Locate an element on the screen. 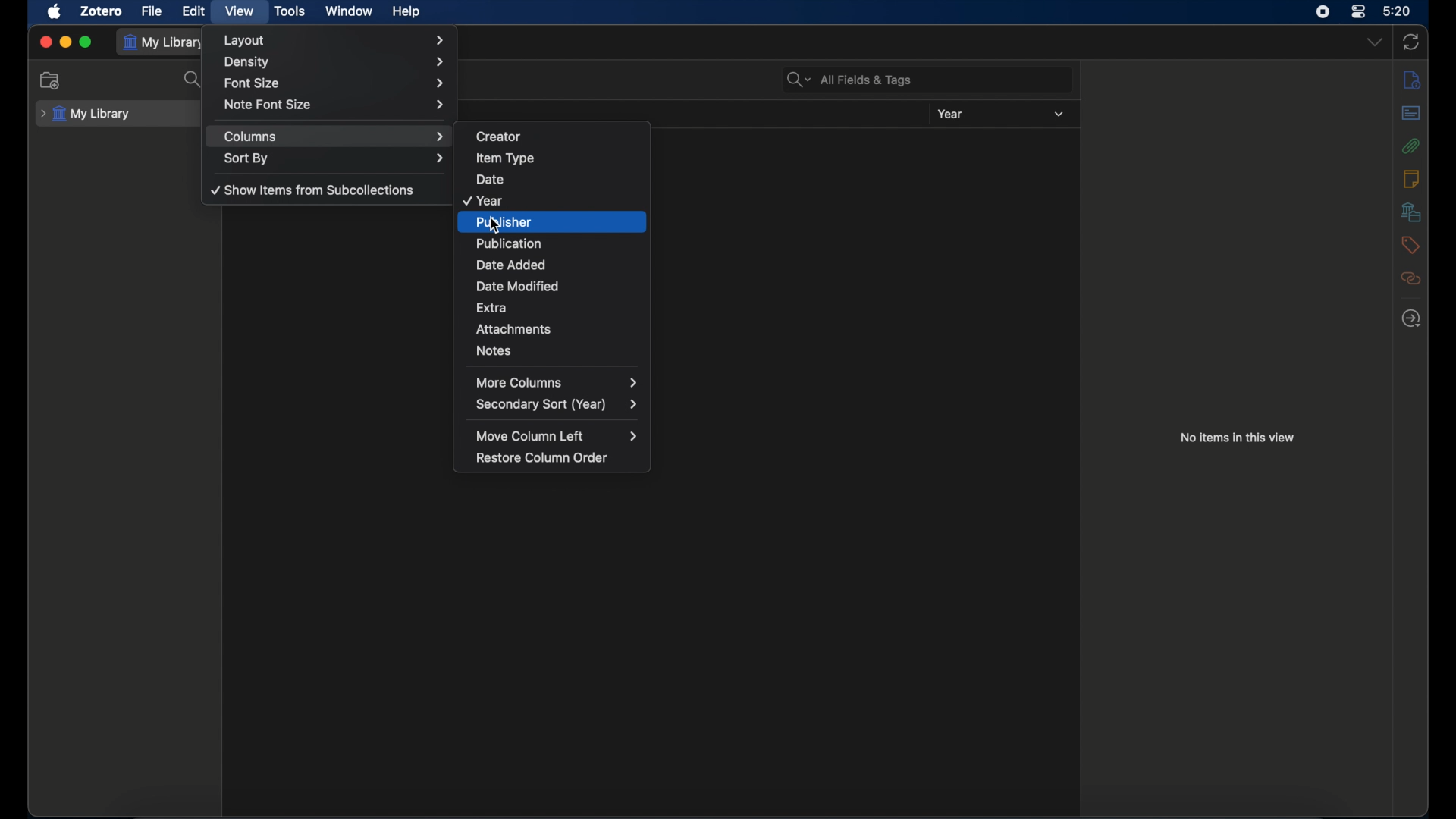 Image resolution: width=1456 pixels, height=819 pixels. apple icon is located at coordinates (54, 11).